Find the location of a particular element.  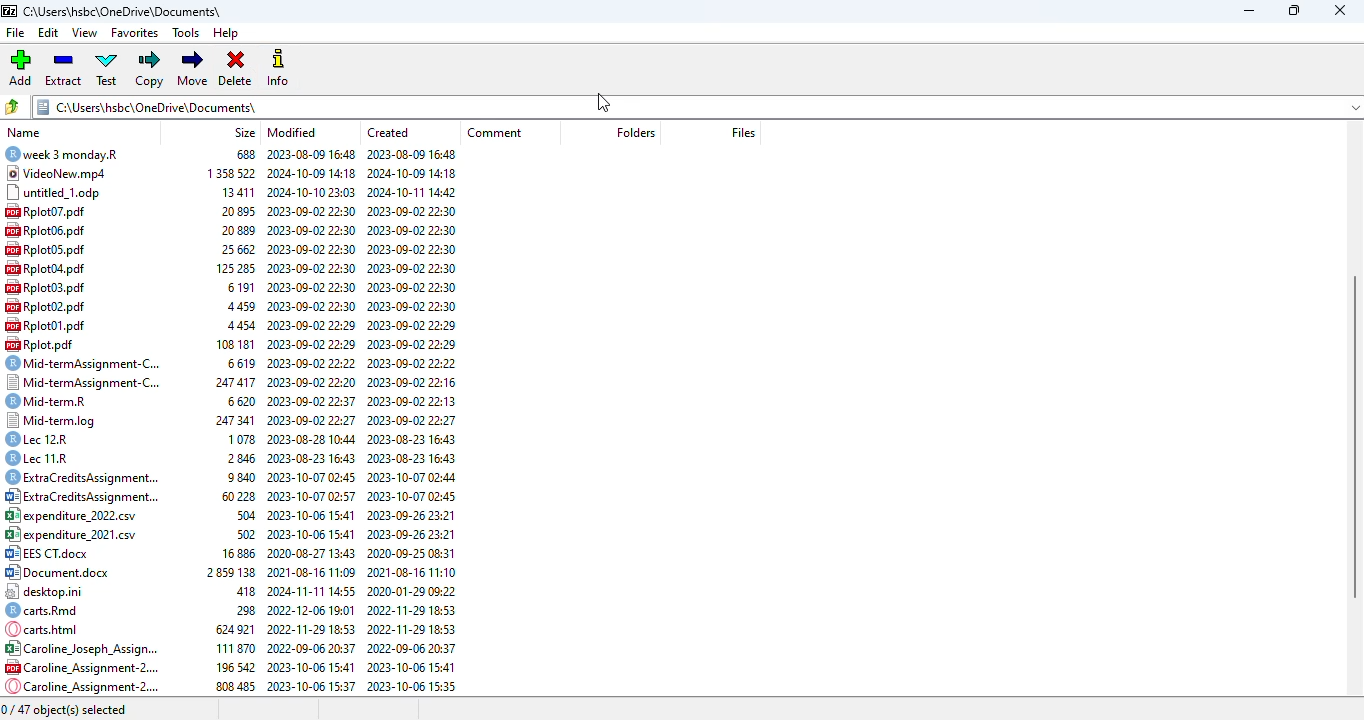

2023-09-02 22:30 is located at coordinates (307, 211).